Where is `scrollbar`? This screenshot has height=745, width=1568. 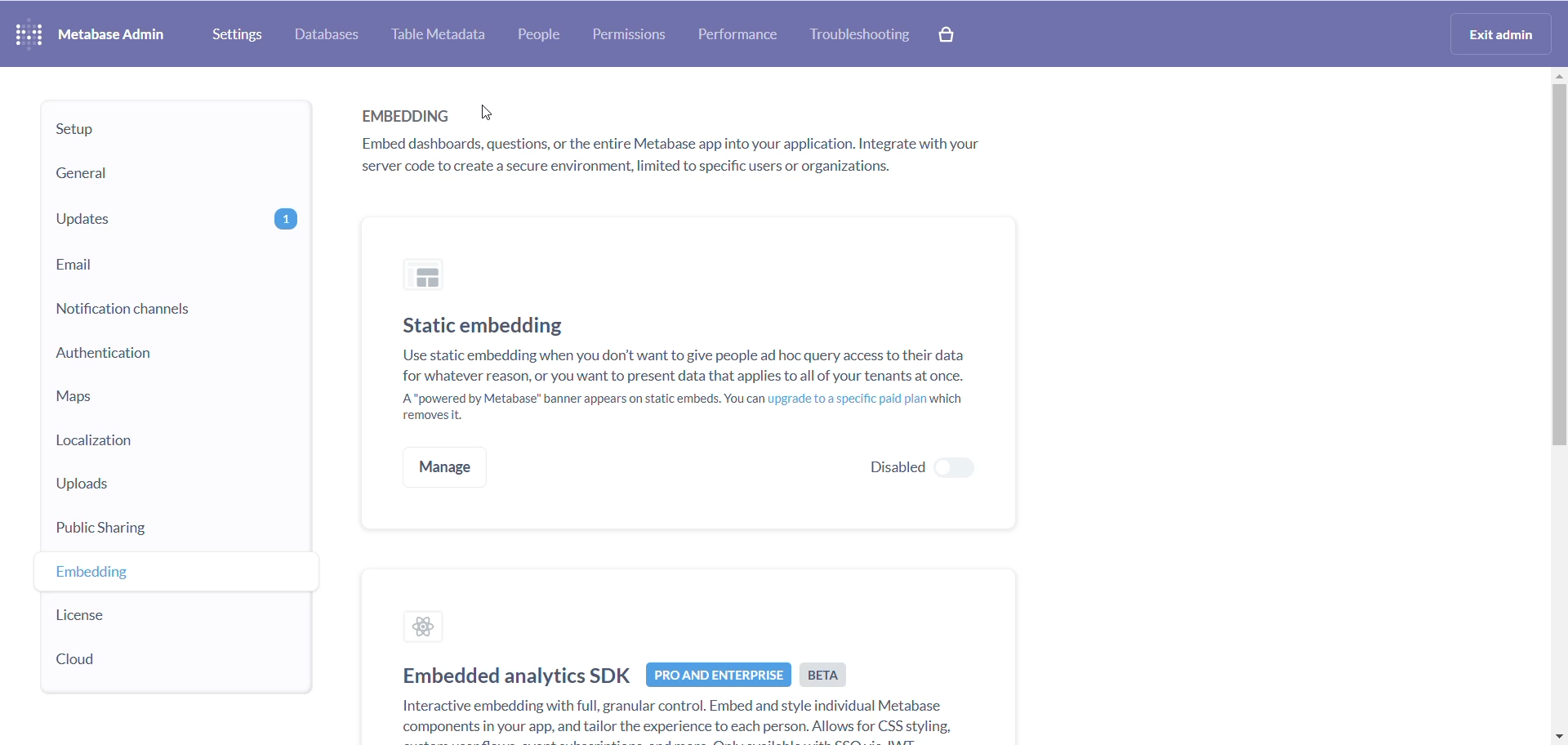 scrollbar is located at coordinates (1557, 283).